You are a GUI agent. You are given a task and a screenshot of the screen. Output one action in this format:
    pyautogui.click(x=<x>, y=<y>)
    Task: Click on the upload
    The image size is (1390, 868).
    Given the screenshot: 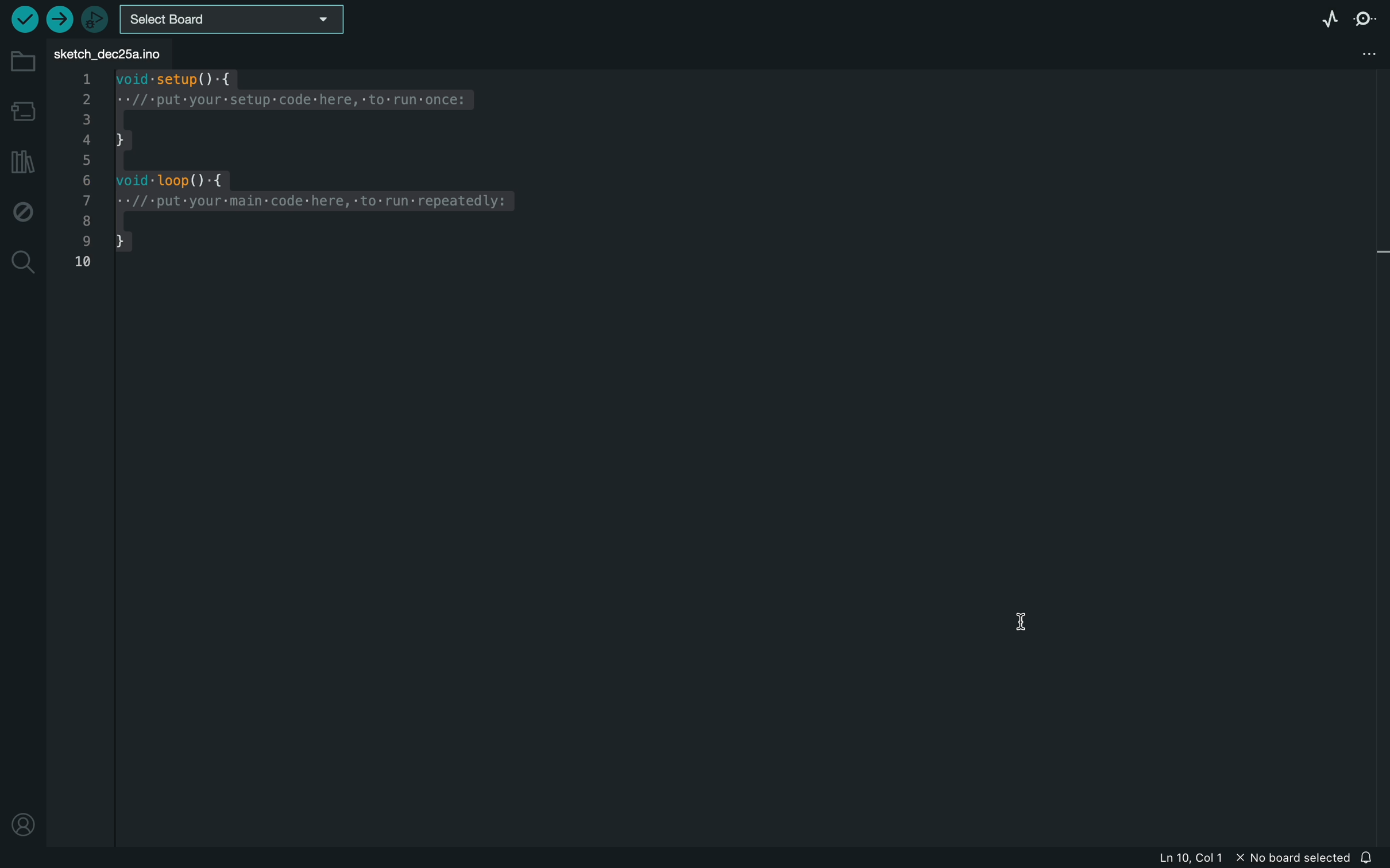 What is the action you would take?
    pyautogui.click(x=57, y=18)
    